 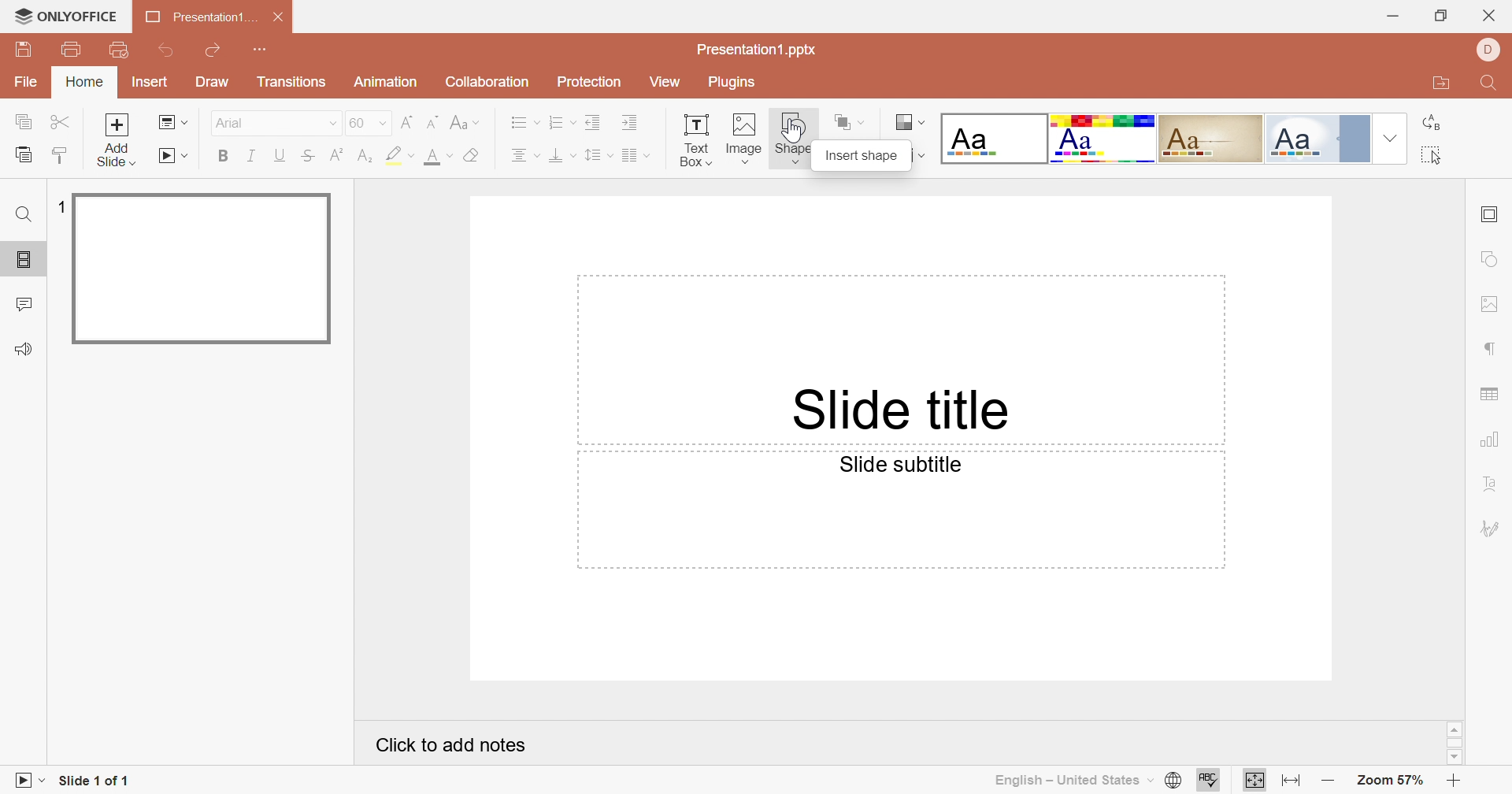 I want to click on Close, so click(x=1488, y=17).